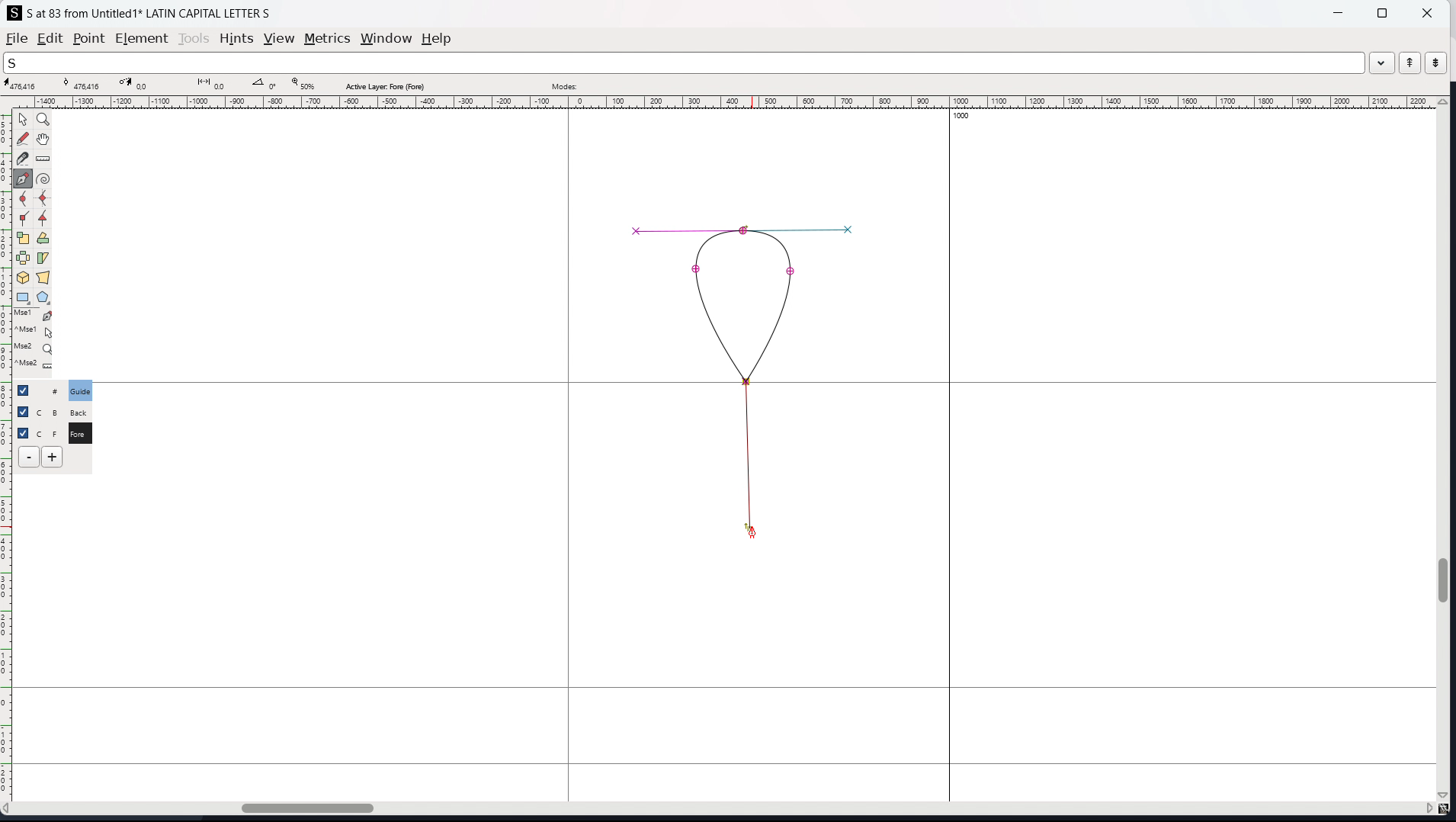  I want to click on window, so click(386, 39).